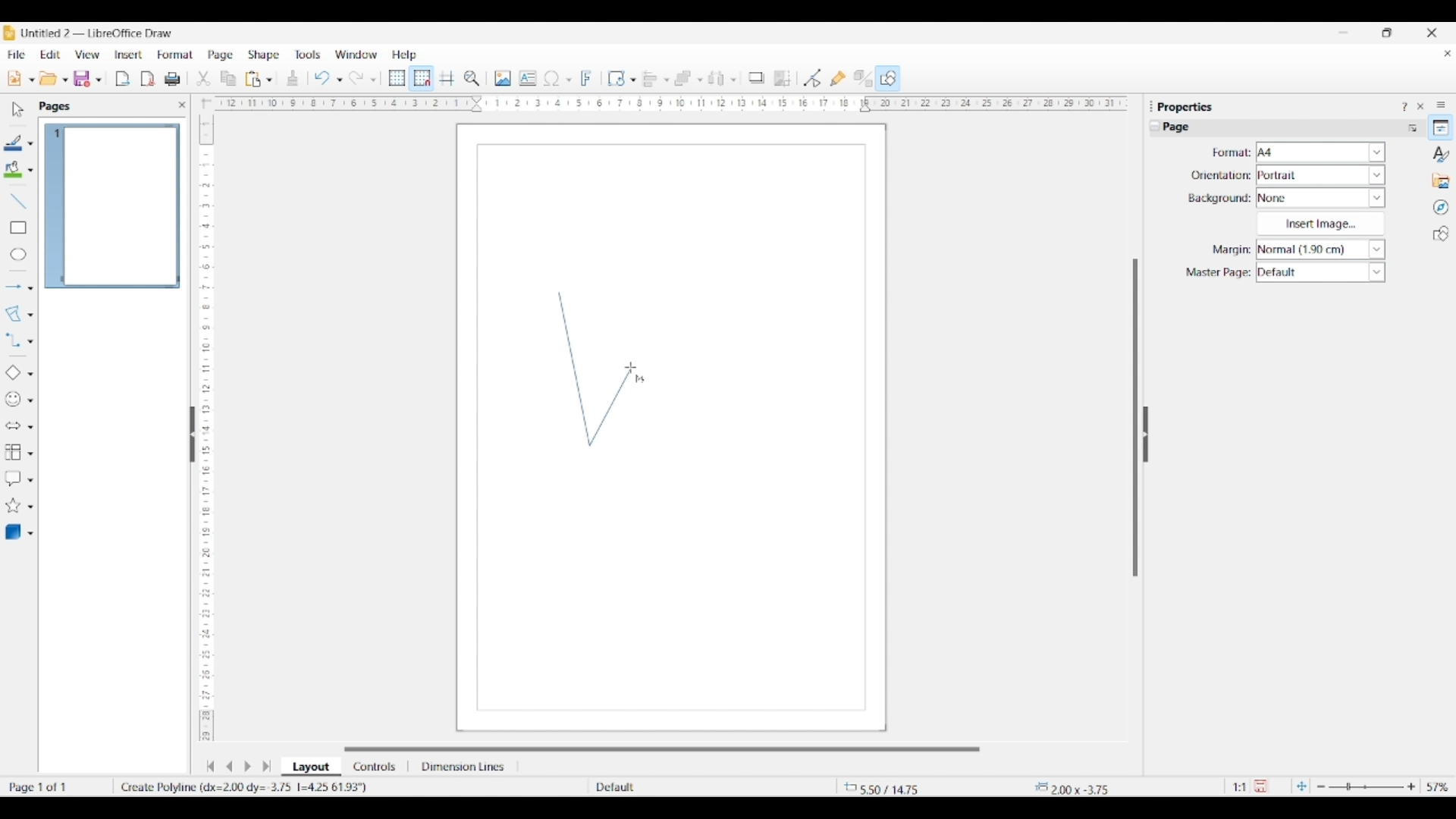  I want to click on Controls, so click(376, 767).